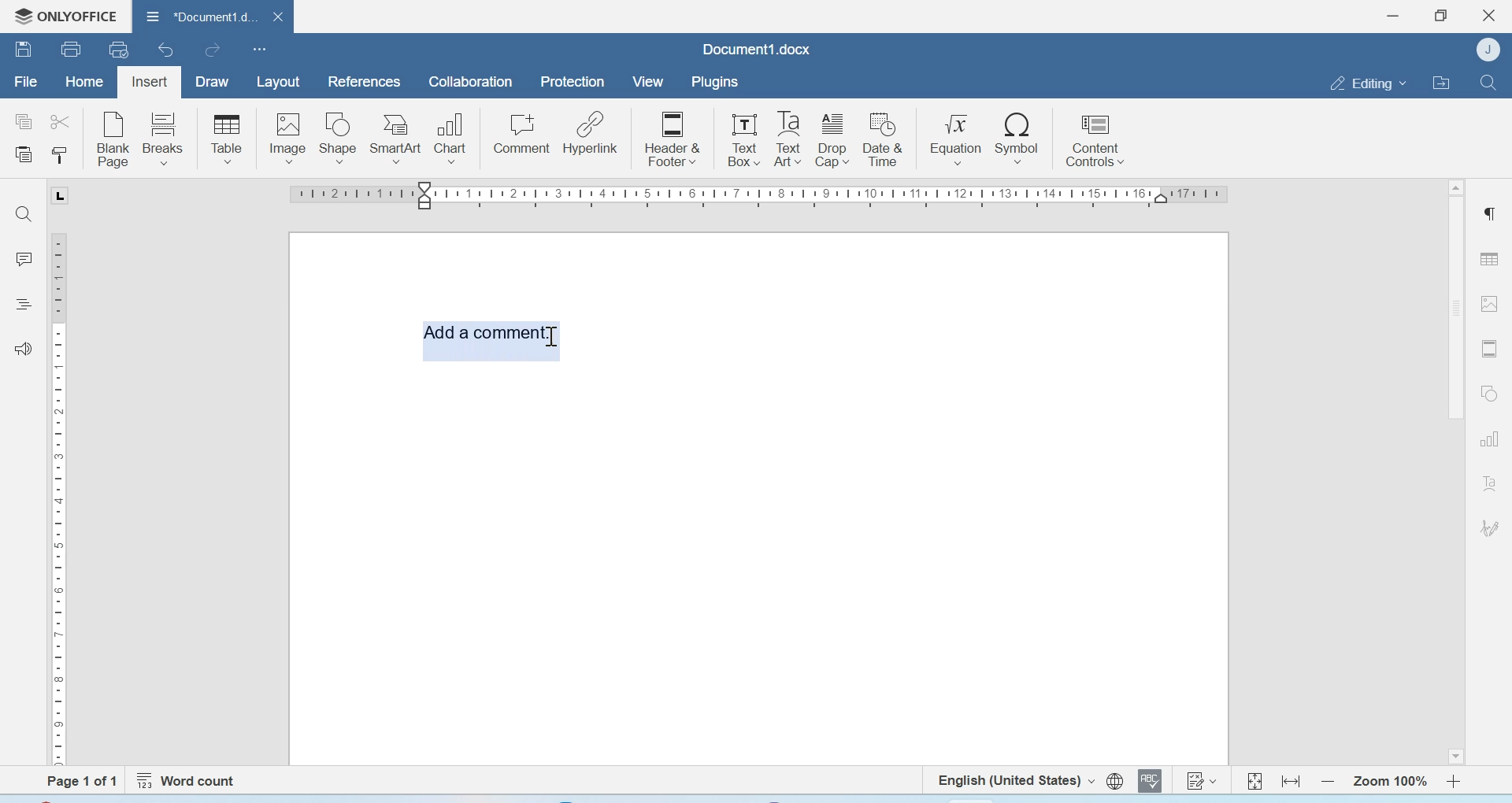  Describe the element at coordinates (1492, 392) in the screenshot. I see `Shapes` at that location.